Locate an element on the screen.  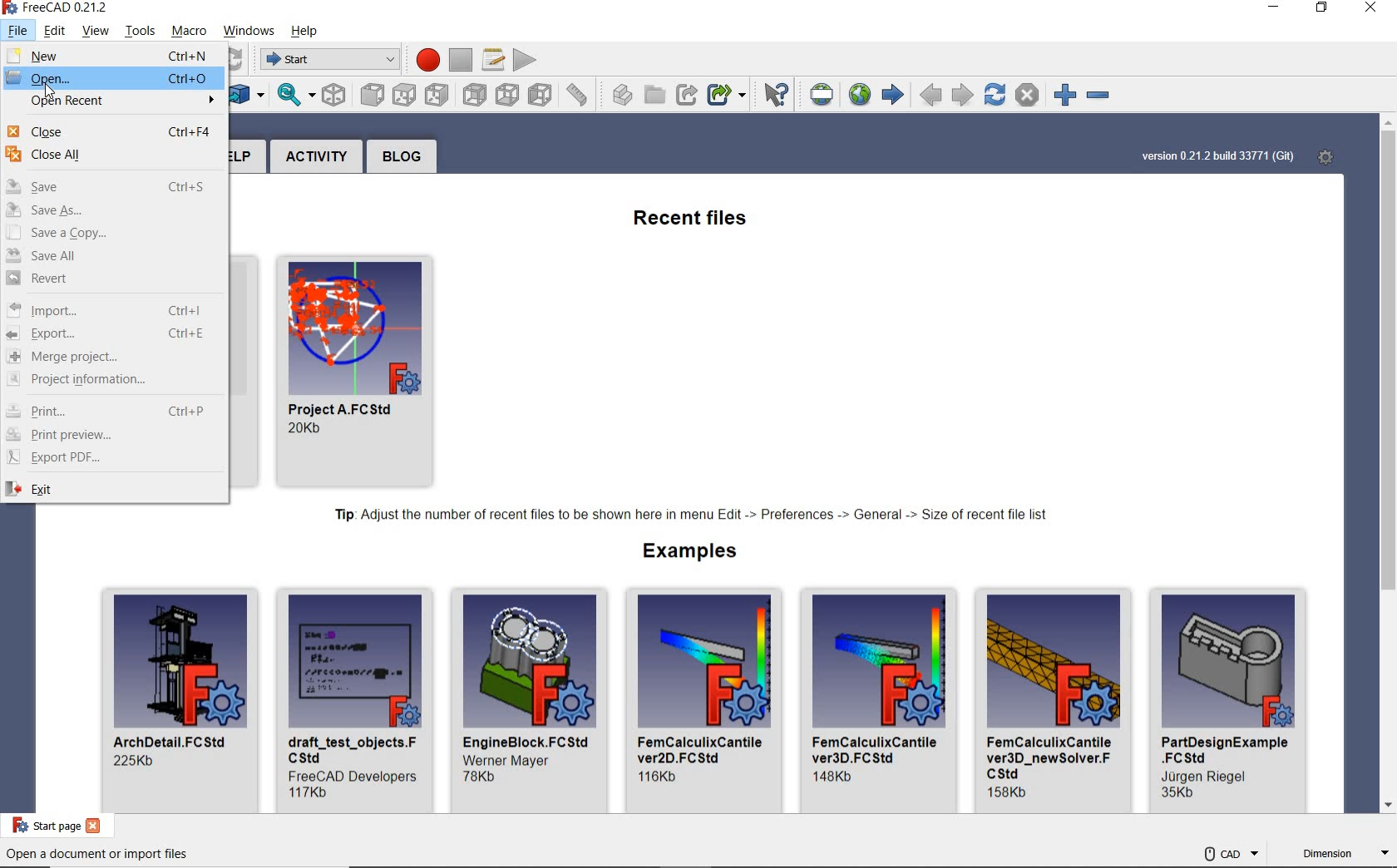
REFRESH WEBPAGE is located at coordinates (994, 93).